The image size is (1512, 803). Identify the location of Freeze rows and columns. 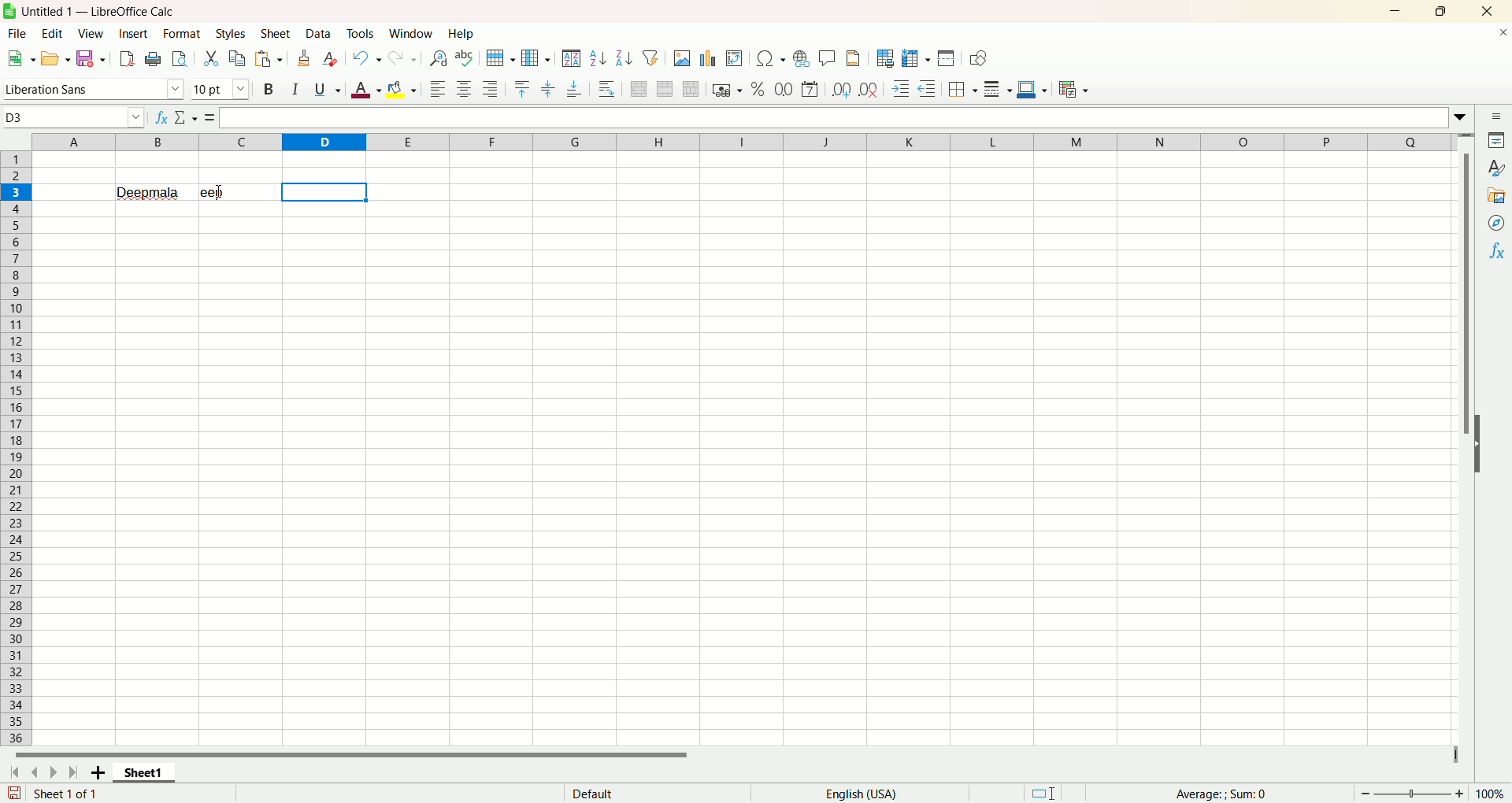
(917, 59).